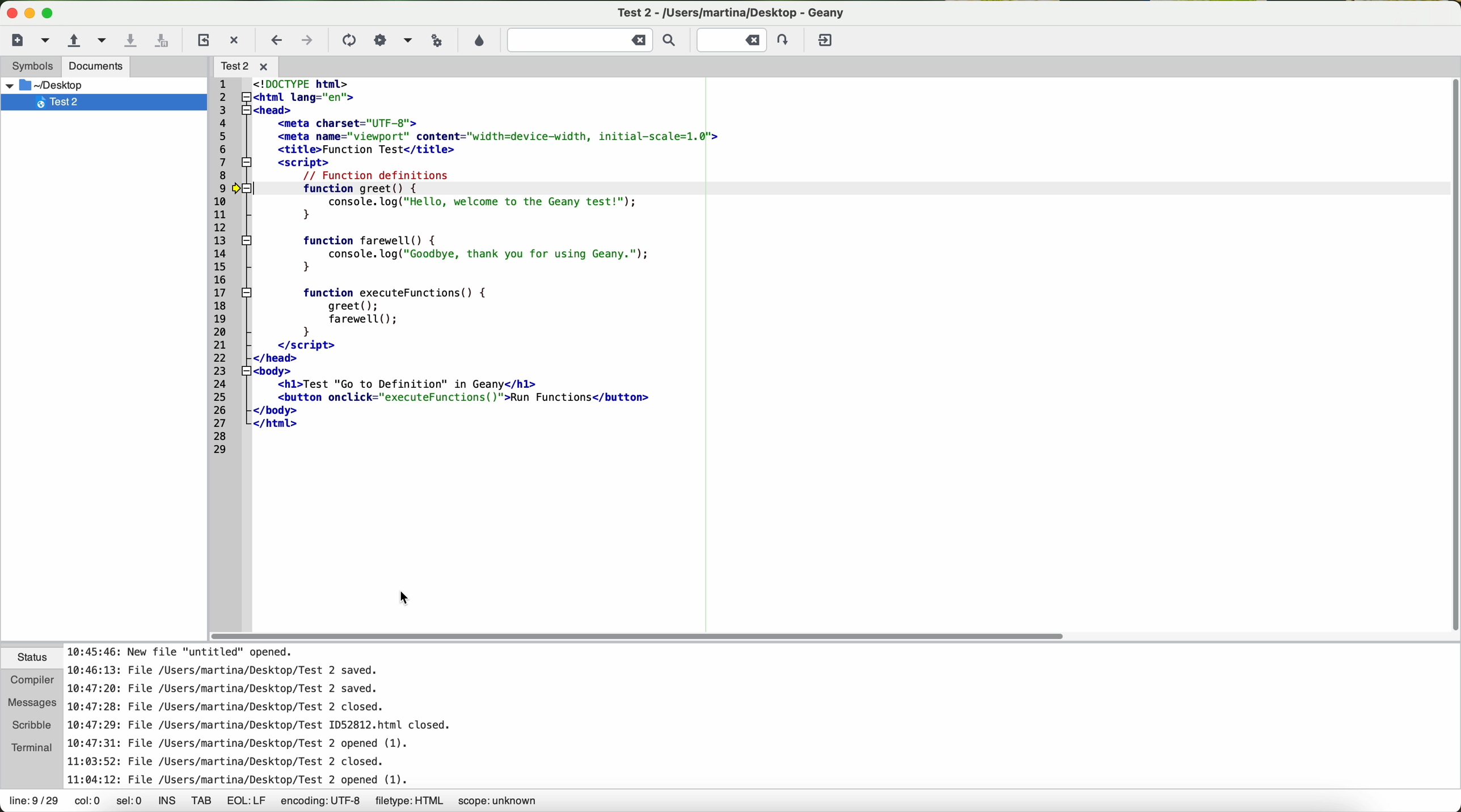  I want to click on messages, so click(29, 703).